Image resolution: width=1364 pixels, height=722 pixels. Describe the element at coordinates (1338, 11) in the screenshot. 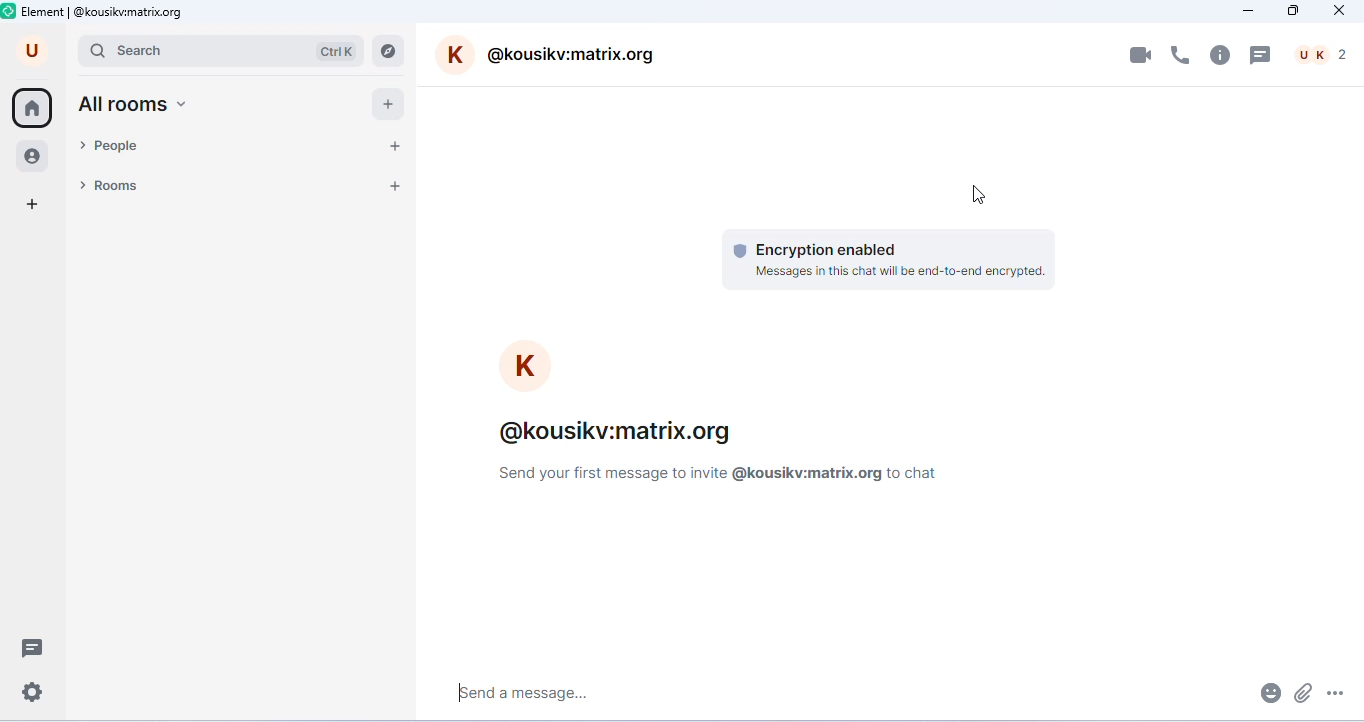

I see `close` at that location.